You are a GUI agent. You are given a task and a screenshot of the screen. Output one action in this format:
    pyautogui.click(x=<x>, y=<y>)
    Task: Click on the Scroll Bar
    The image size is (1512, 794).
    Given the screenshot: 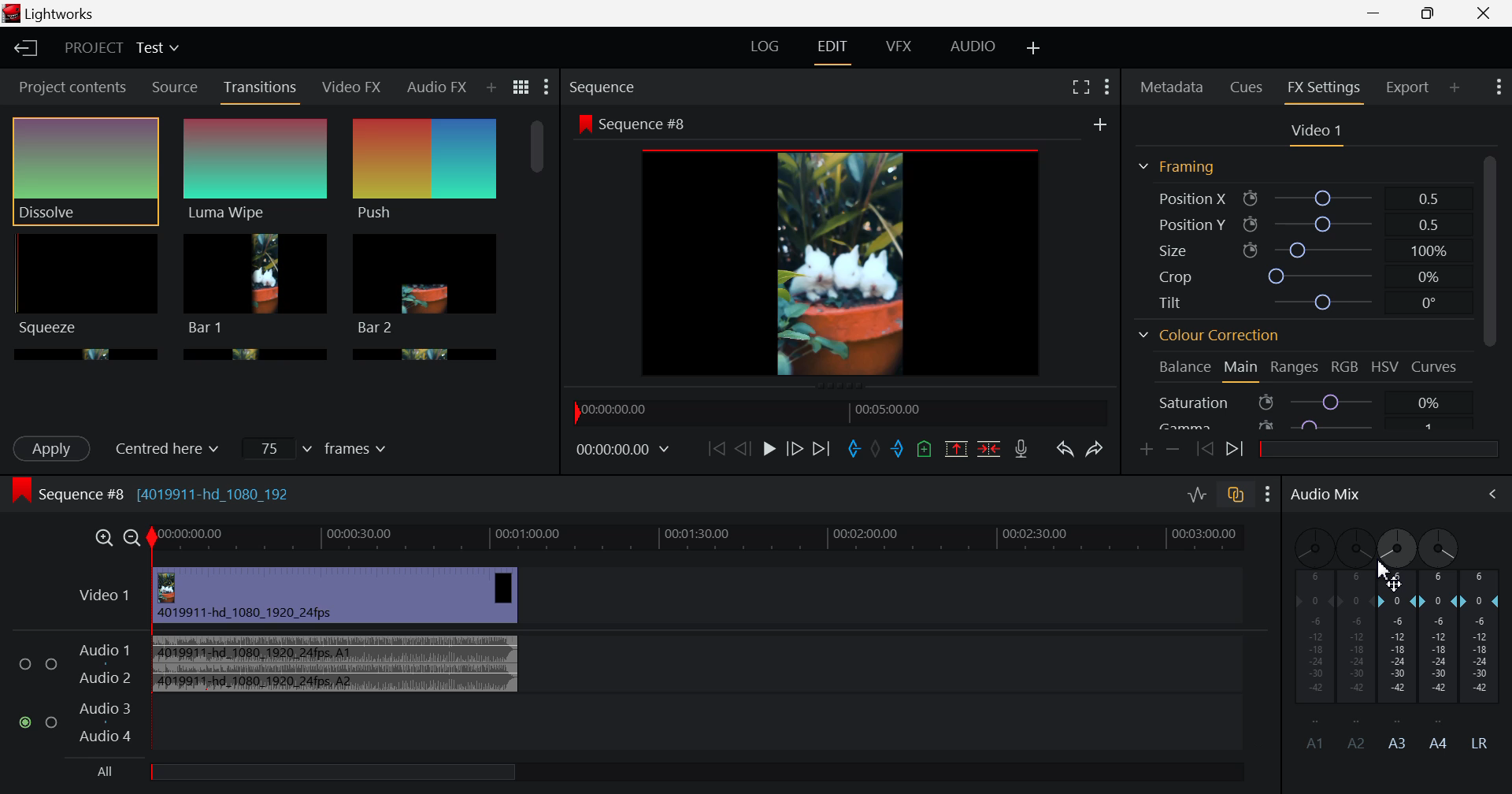 What is the action you would take?
    pyautogui.click(x=537, y=232)
    